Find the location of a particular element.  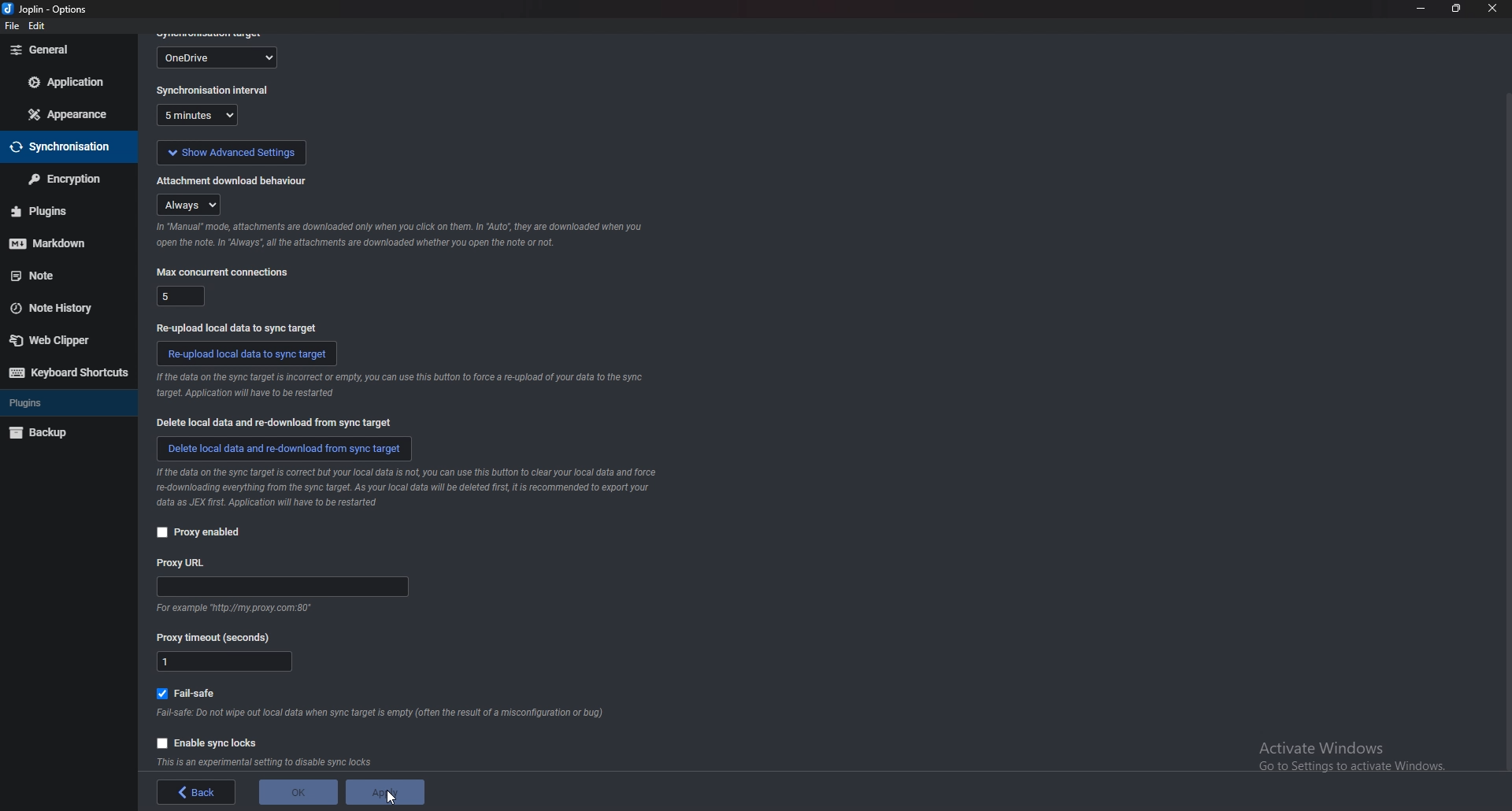

info is located at coordinates (270, 761).